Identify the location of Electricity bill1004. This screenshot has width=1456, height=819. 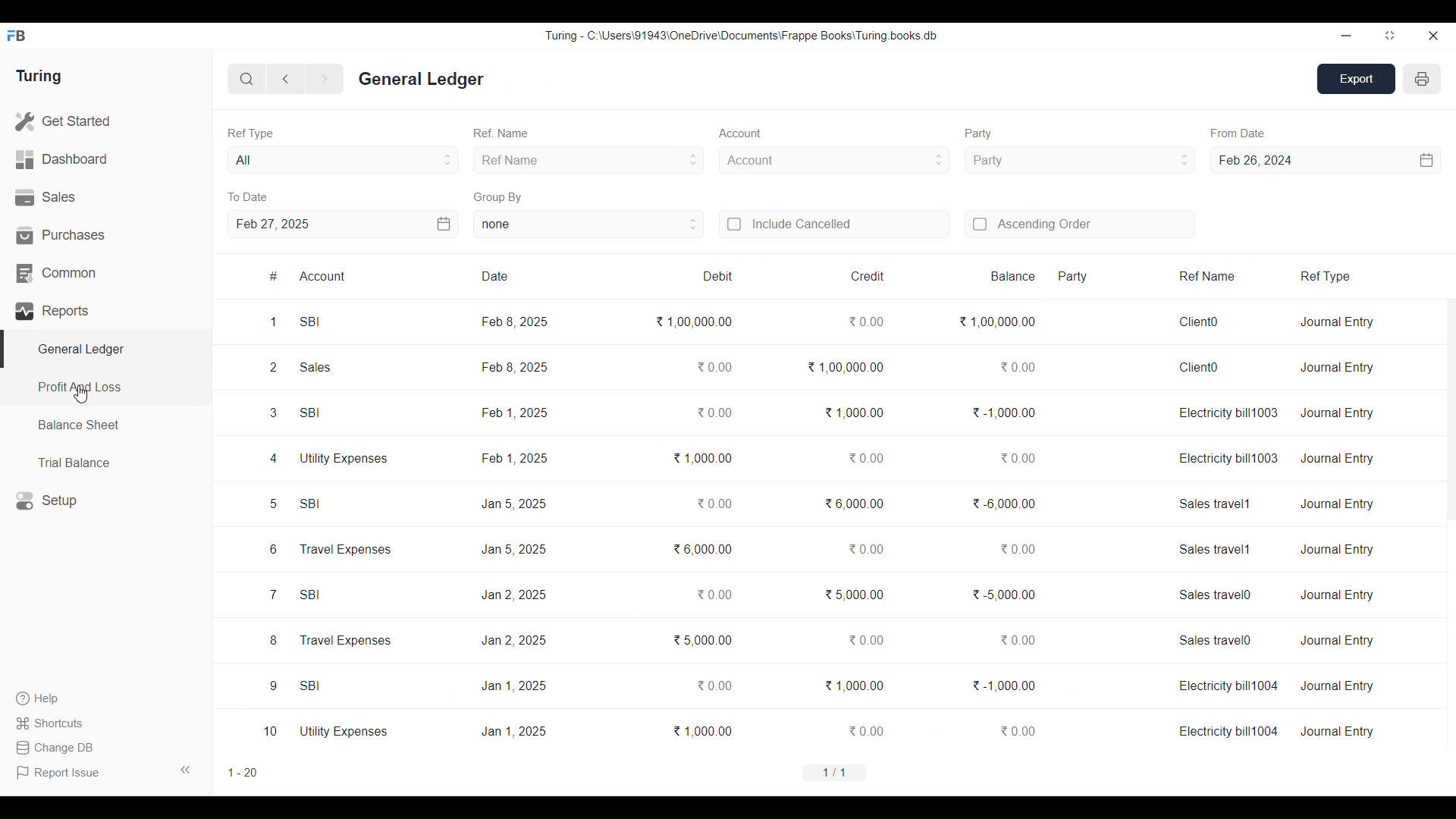
(1228, 731).